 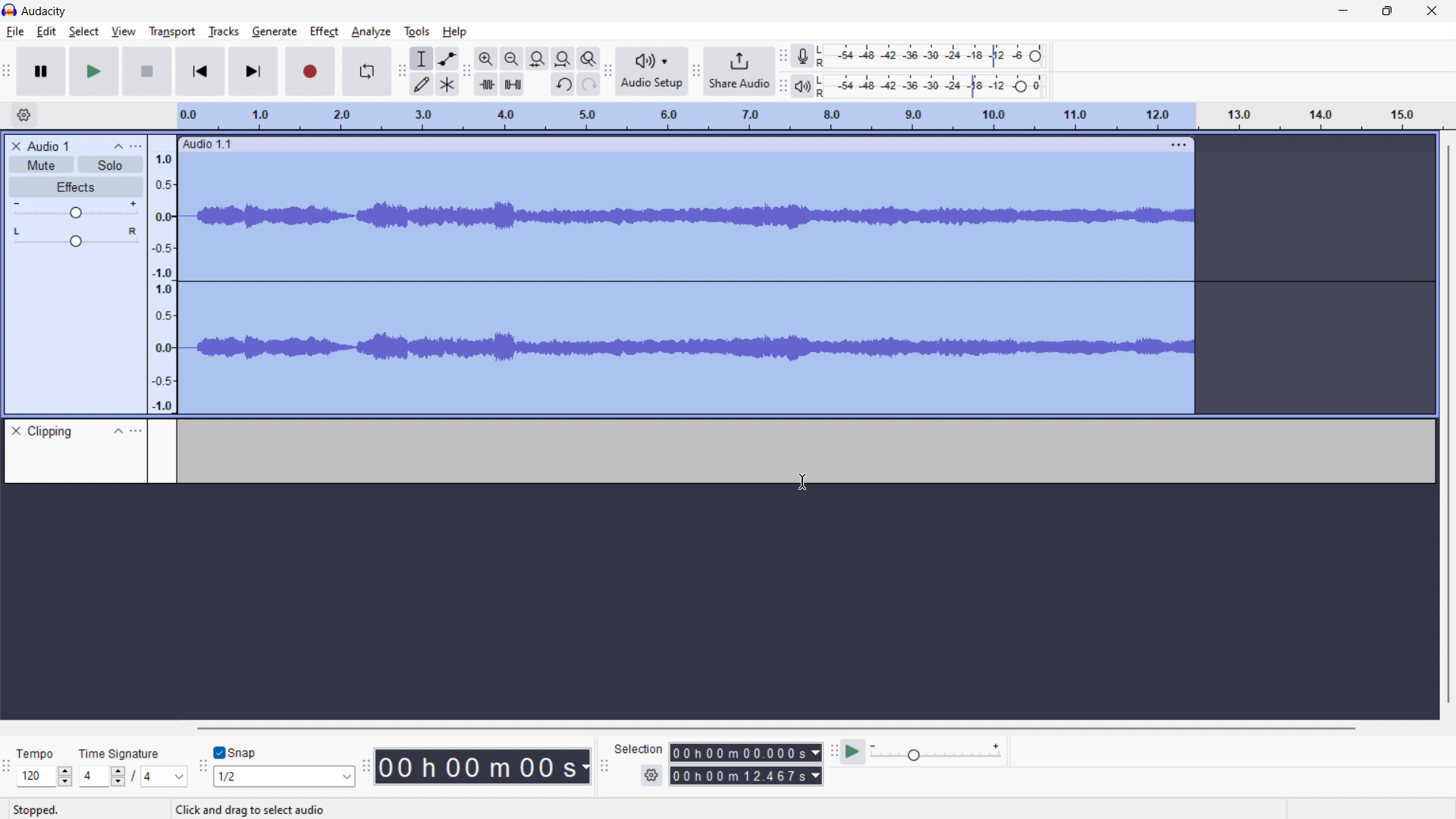 What do you see at coordinates (745, 775) in the screenshot?
I see `end time` at bounding box center [745, 775].